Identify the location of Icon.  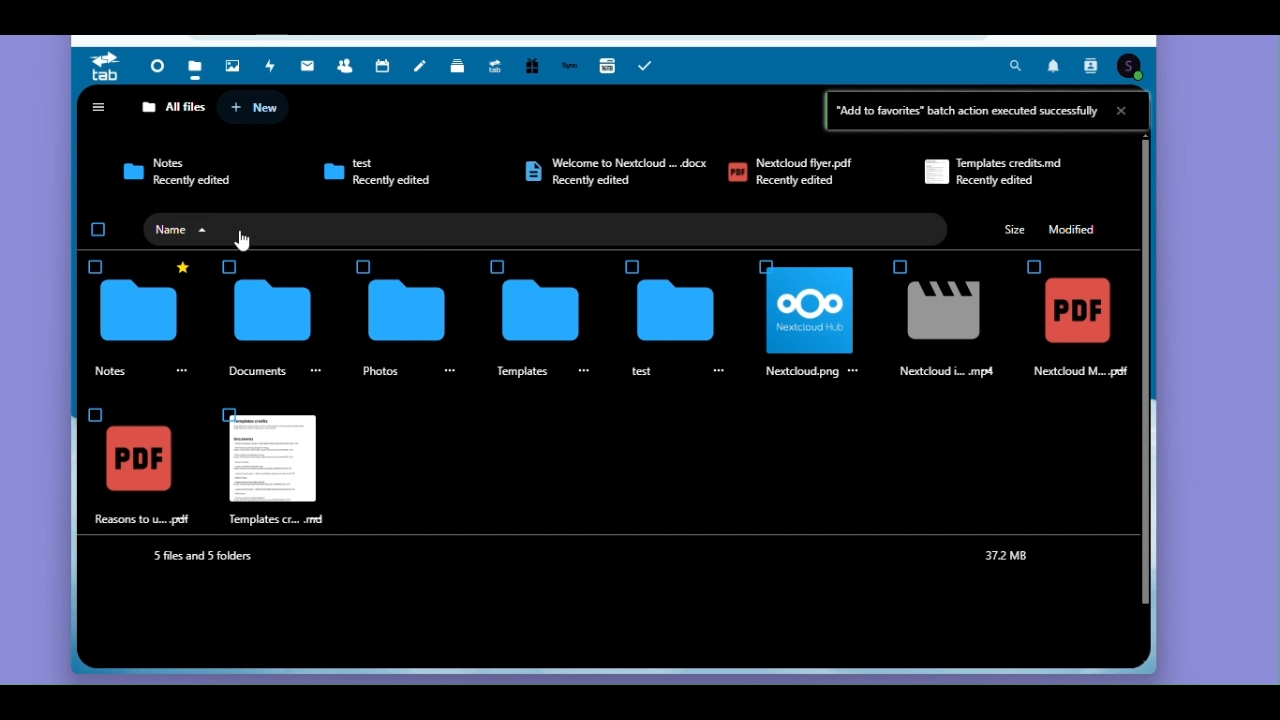
(130, 171).